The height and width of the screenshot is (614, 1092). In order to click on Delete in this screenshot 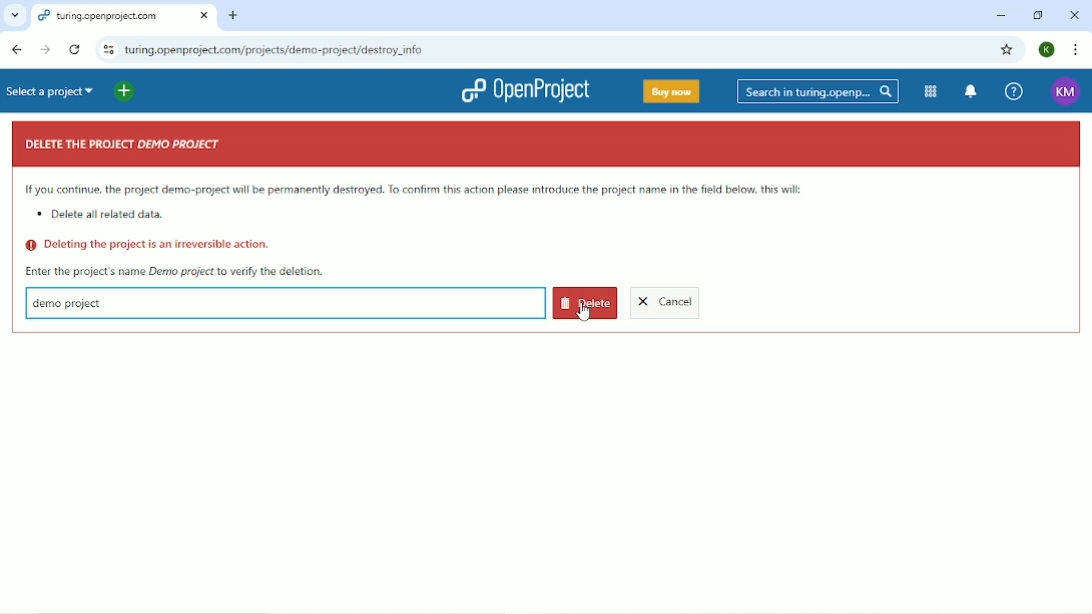, I will do `click(585, 302)`.